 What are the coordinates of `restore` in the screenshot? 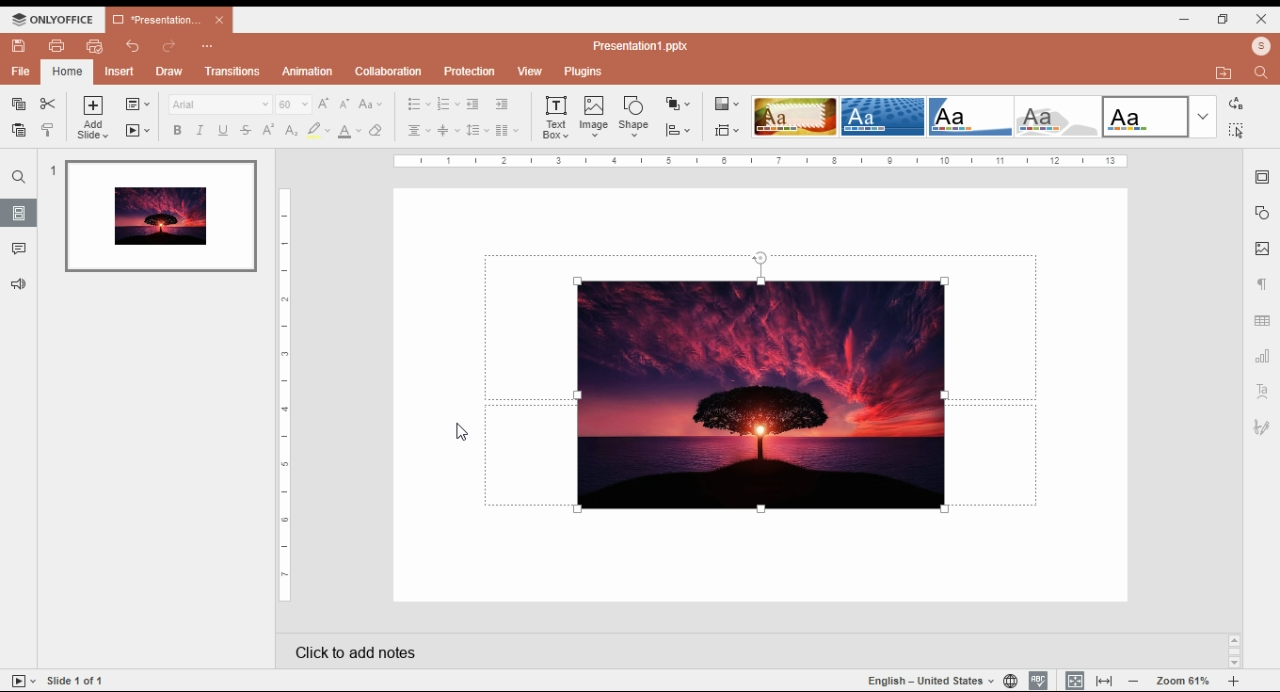 It's located at (1222, 20).